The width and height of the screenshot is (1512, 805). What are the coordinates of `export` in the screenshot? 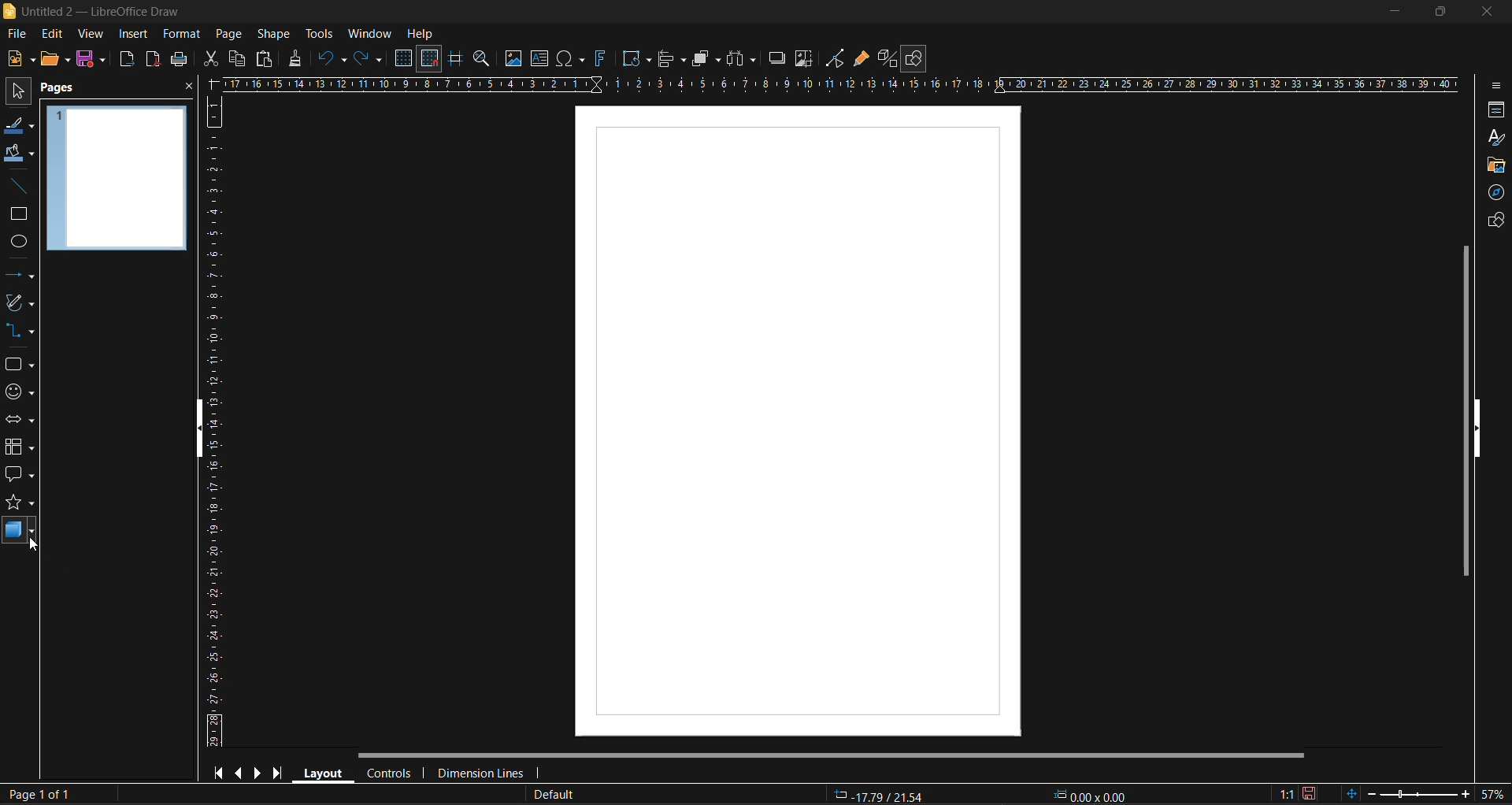 It's located at (132, 61).